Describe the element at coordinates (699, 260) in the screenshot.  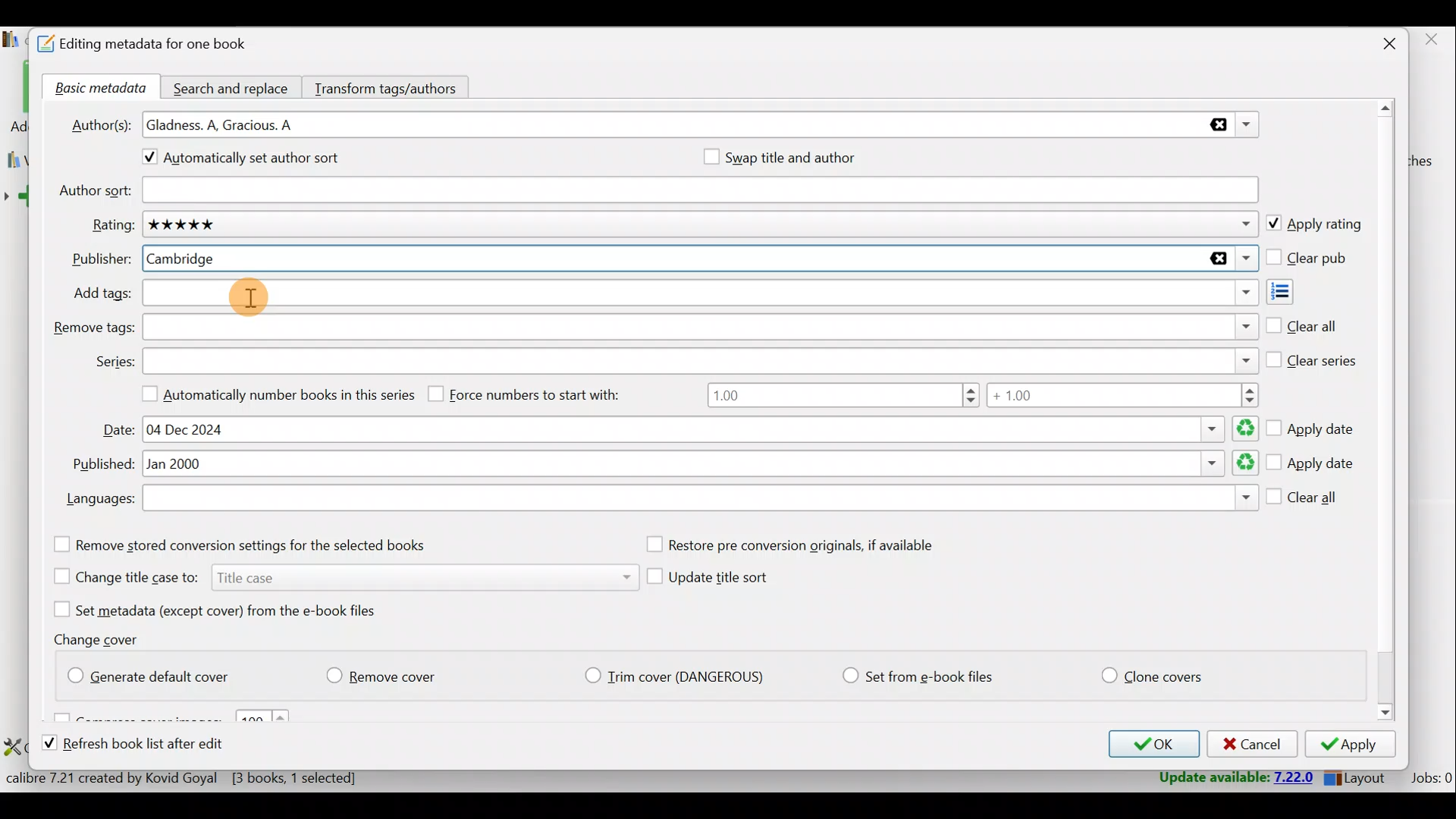
I see `Publisher` at that location.